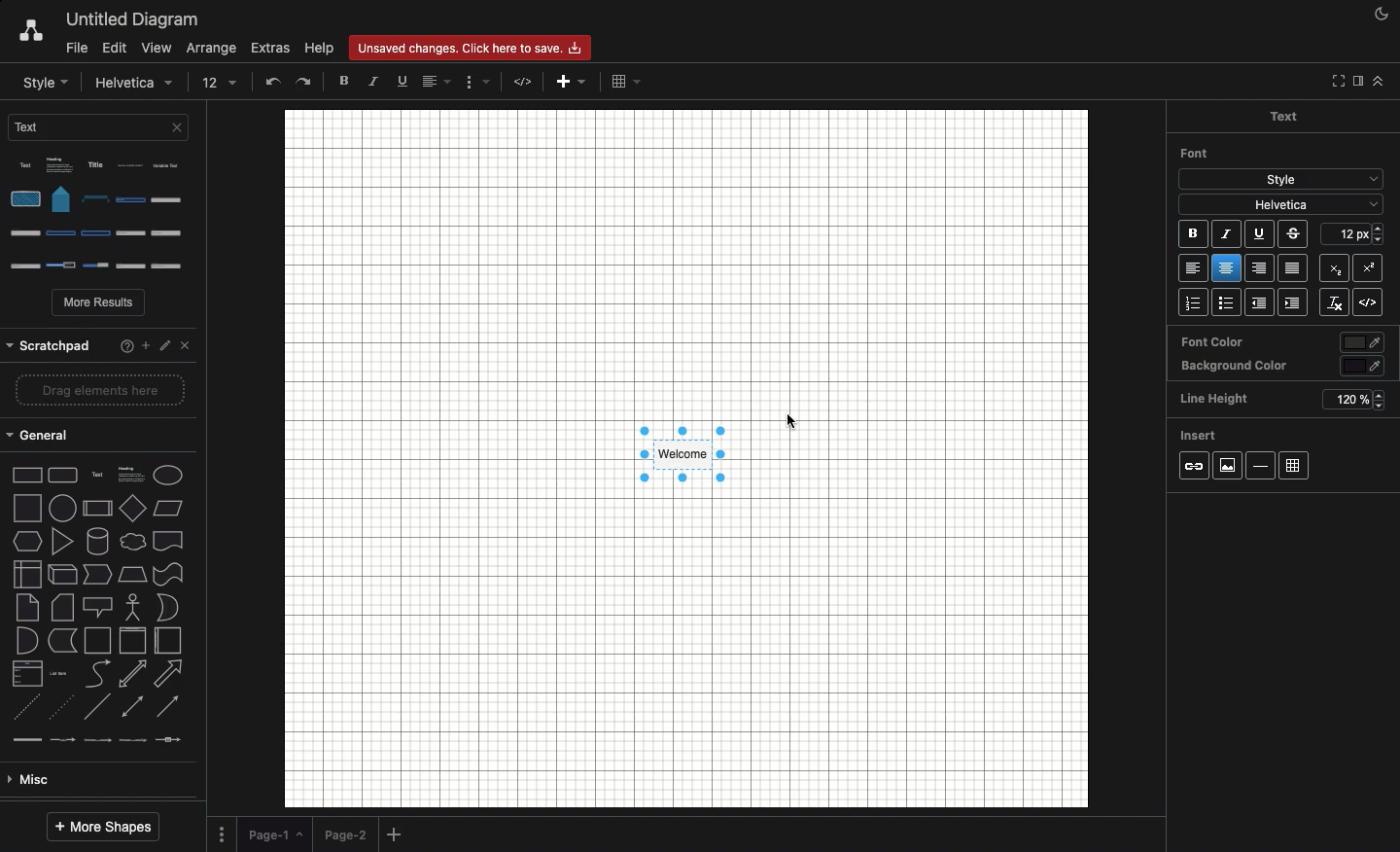 The width and height of the screenshot is (1400, 852). I want to click on Misc, so click(95, 607).